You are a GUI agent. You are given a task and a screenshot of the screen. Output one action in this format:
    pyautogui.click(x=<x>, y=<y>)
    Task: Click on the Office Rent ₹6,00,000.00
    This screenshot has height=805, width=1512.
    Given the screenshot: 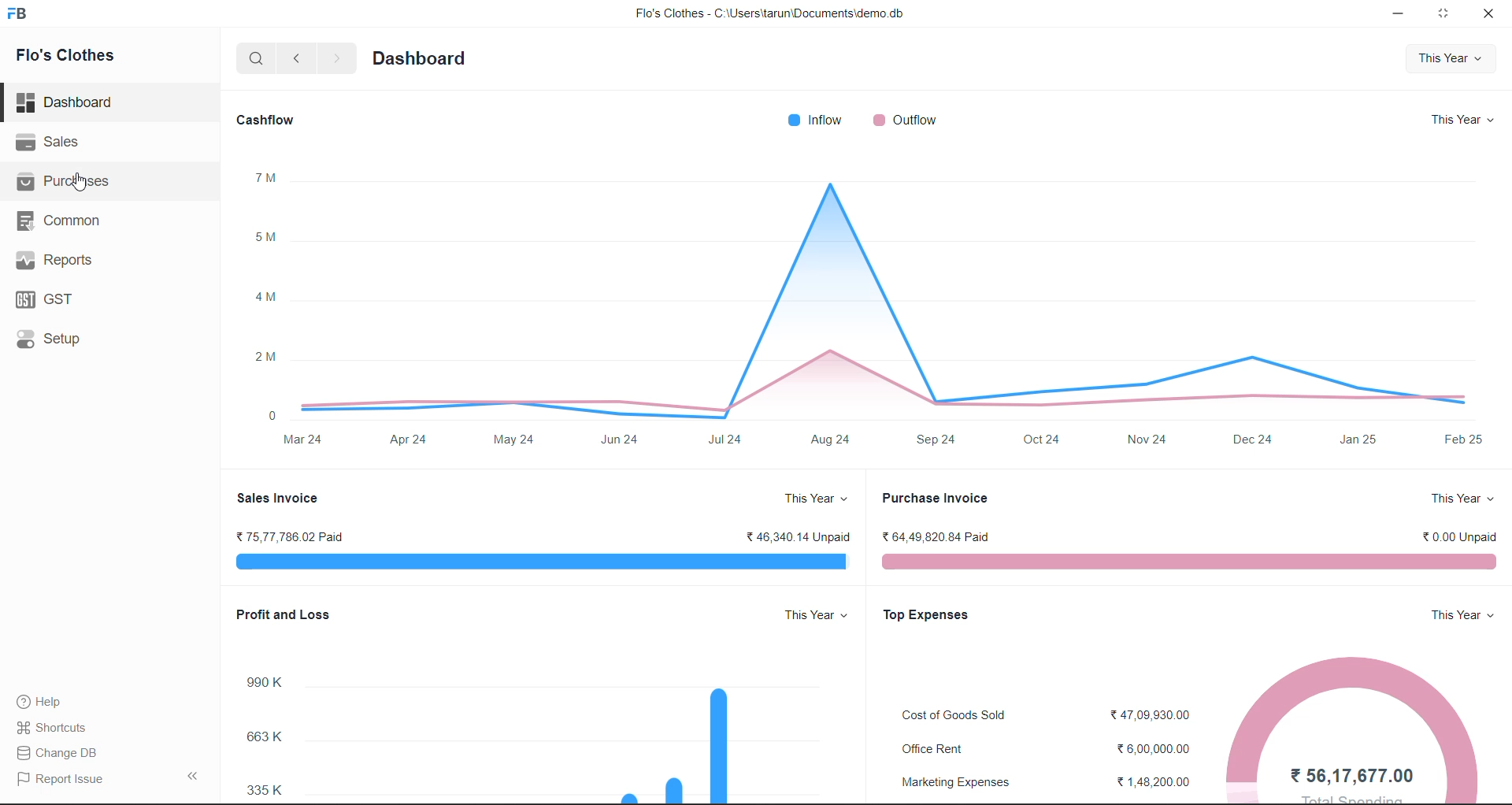 What is the action you would take?
    pyautogui.click(x=1044, y=746)
    